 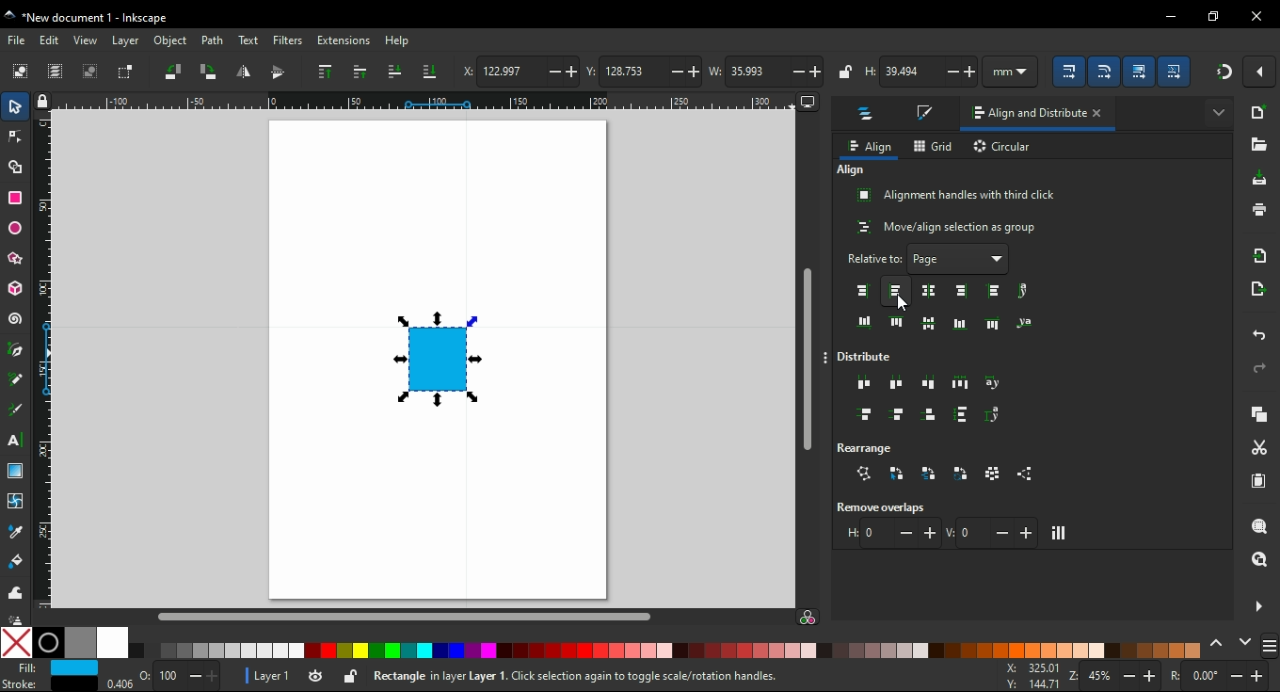 What do you see at coordinates (349, 677) in the screenshot?
I see `unlocked selected object` at bounding box center [349, 677].